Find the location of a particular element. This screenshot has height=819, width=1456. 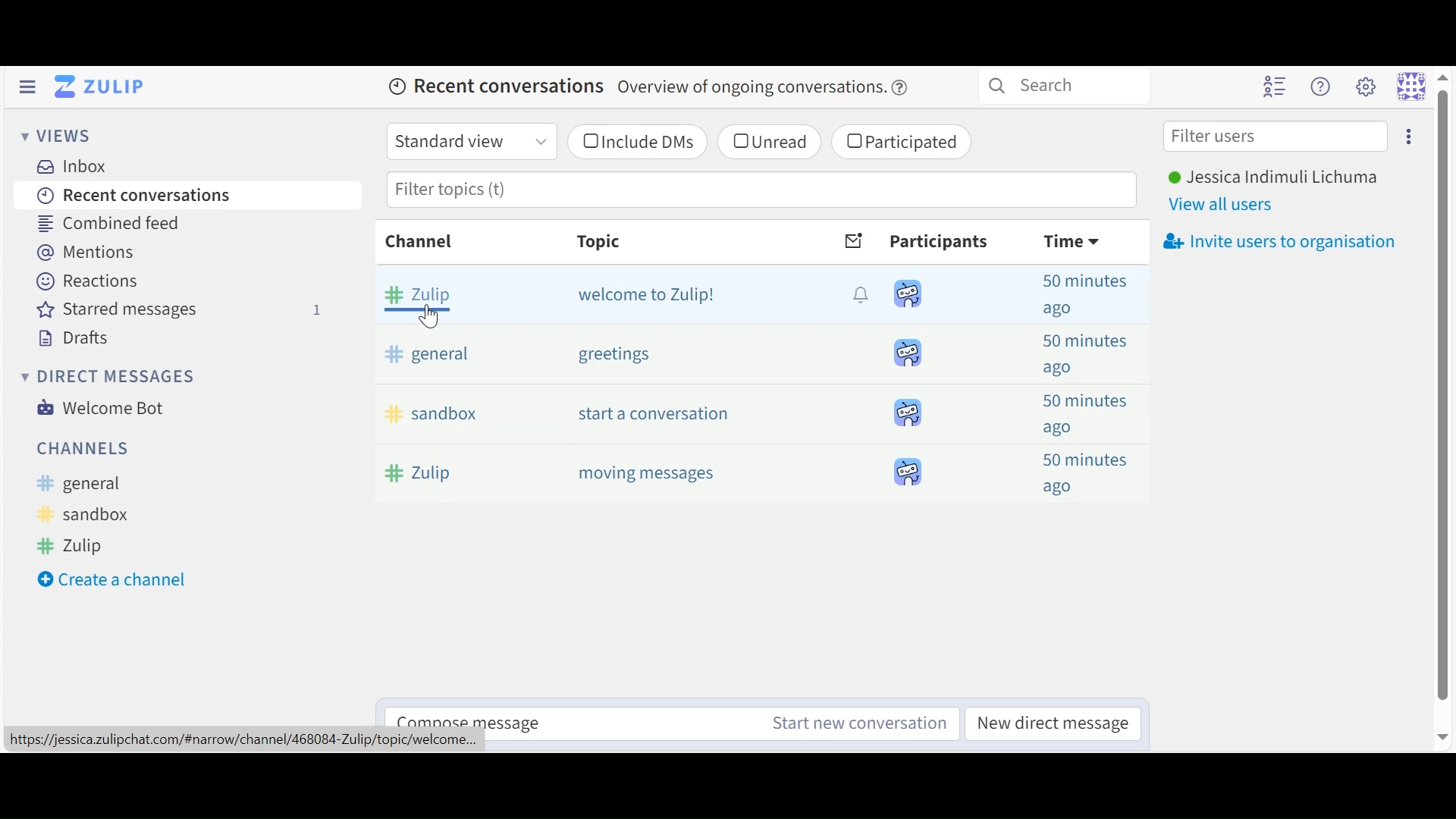

Recent Conversations is located at coordinates (495, 85).